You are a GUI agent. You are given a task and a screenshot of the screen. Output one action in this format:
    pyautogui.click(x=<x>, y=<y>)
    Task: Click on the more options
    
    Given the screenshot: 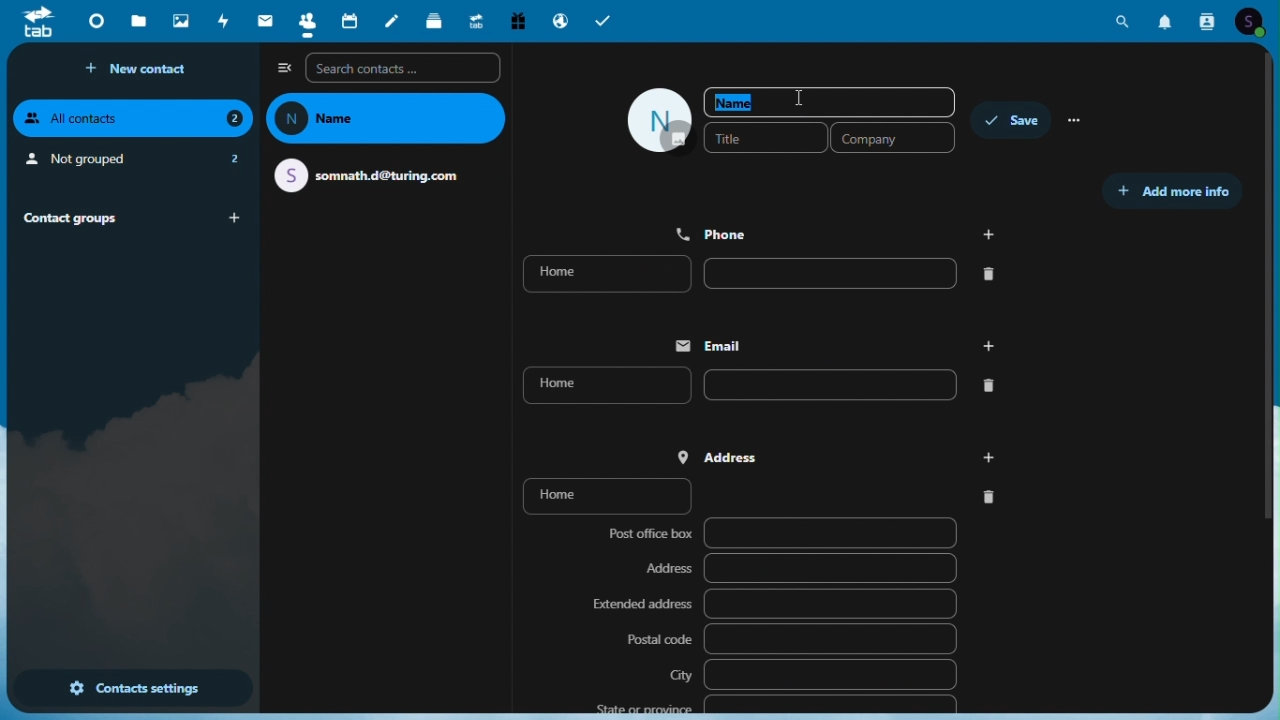 What is the action you would take?
    pyautogui.click(x=1081, y=118)
    